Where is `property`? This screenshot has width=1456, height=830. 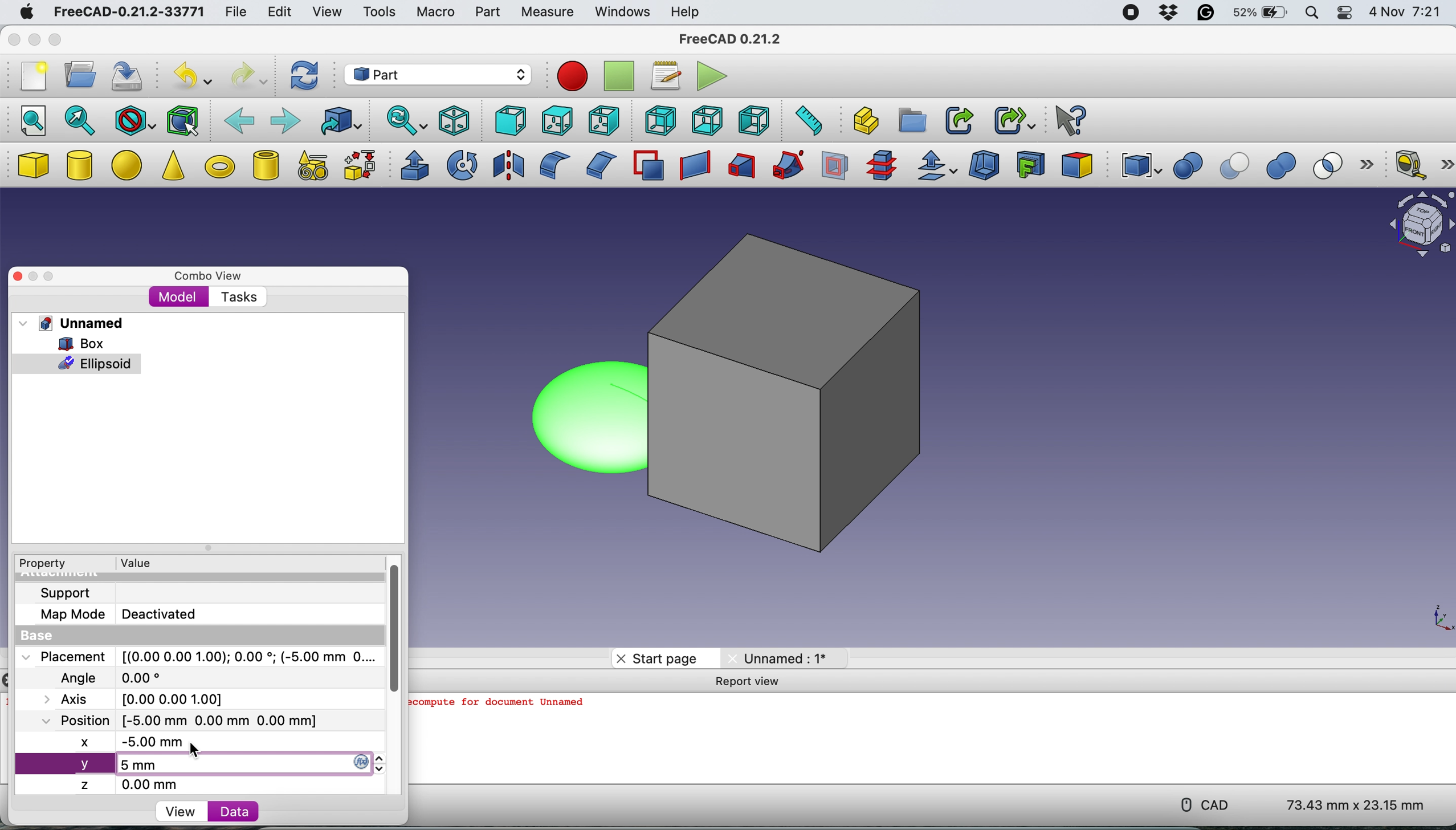 property is located at coordinates (41, 564).